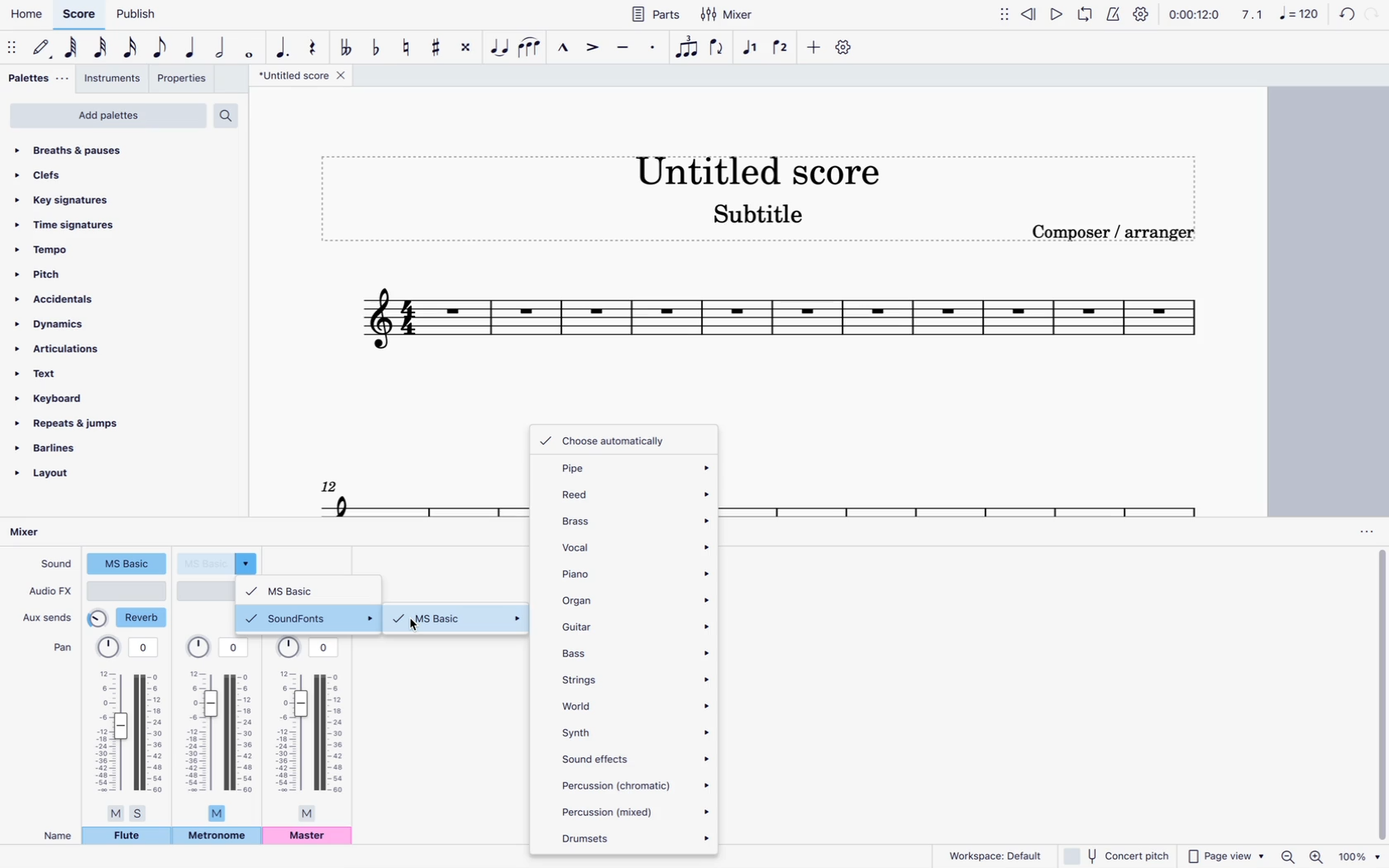  What do you see at coordinates (637, 570) in the screenshot?
I see `piano` at bounding box center [637, 570].